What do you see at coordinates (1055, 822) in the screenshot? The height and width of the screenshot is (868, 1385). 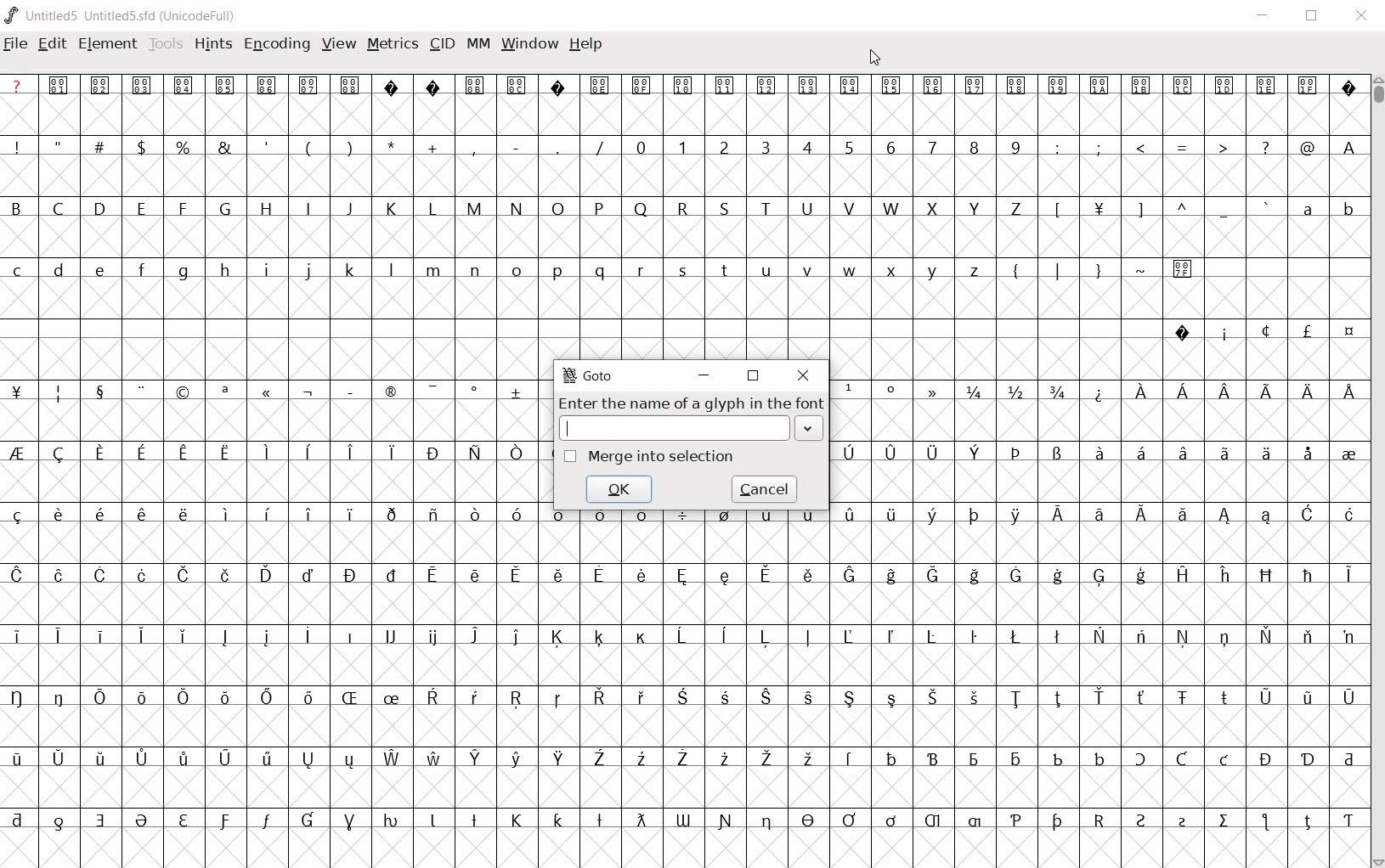 I see `Symbol` at bounding box center [1055, 822].